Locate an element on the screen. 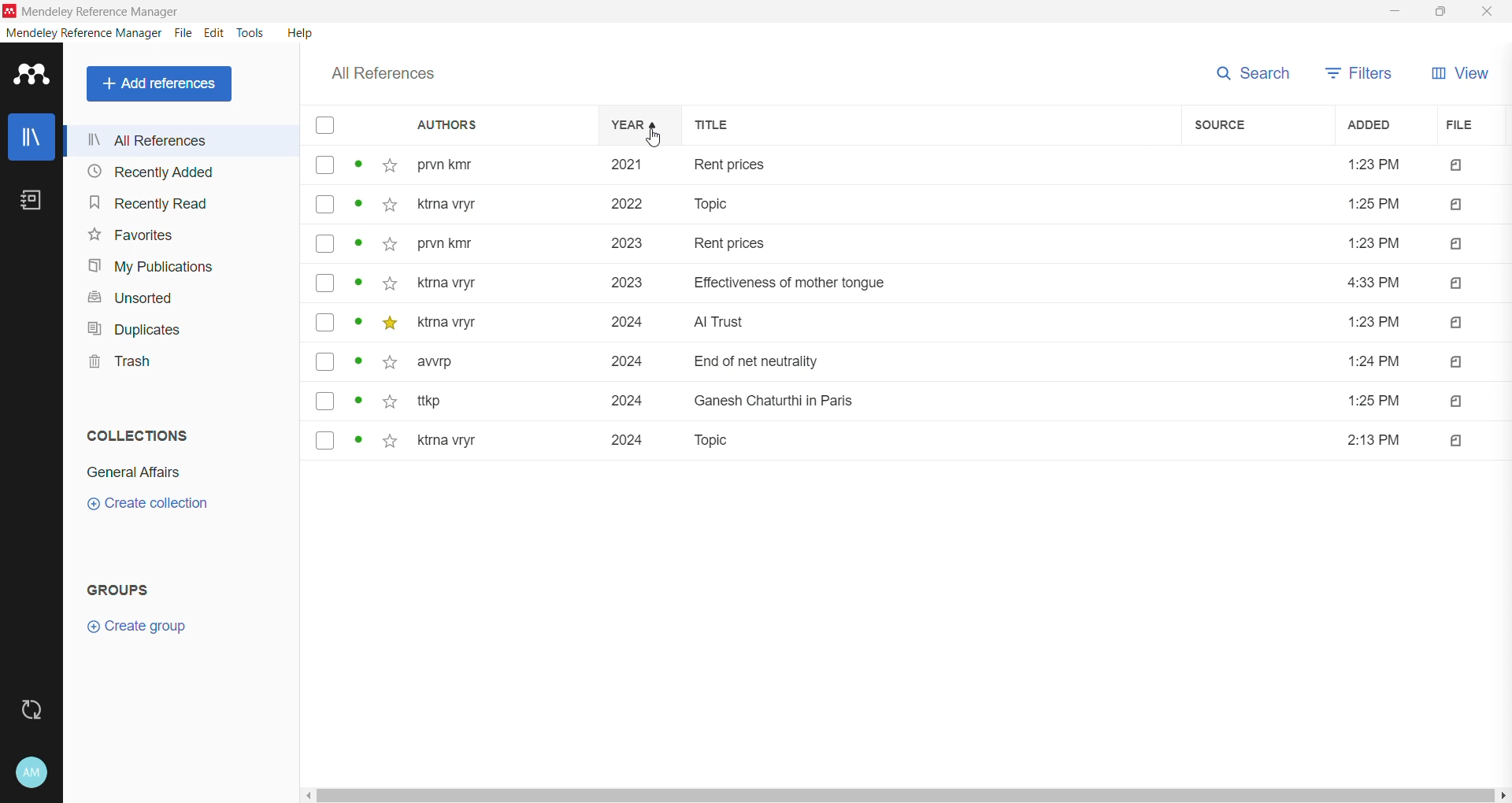 This screenshot has height=803, width=1512. end of net neutrality is located at coordinates (763, 363).